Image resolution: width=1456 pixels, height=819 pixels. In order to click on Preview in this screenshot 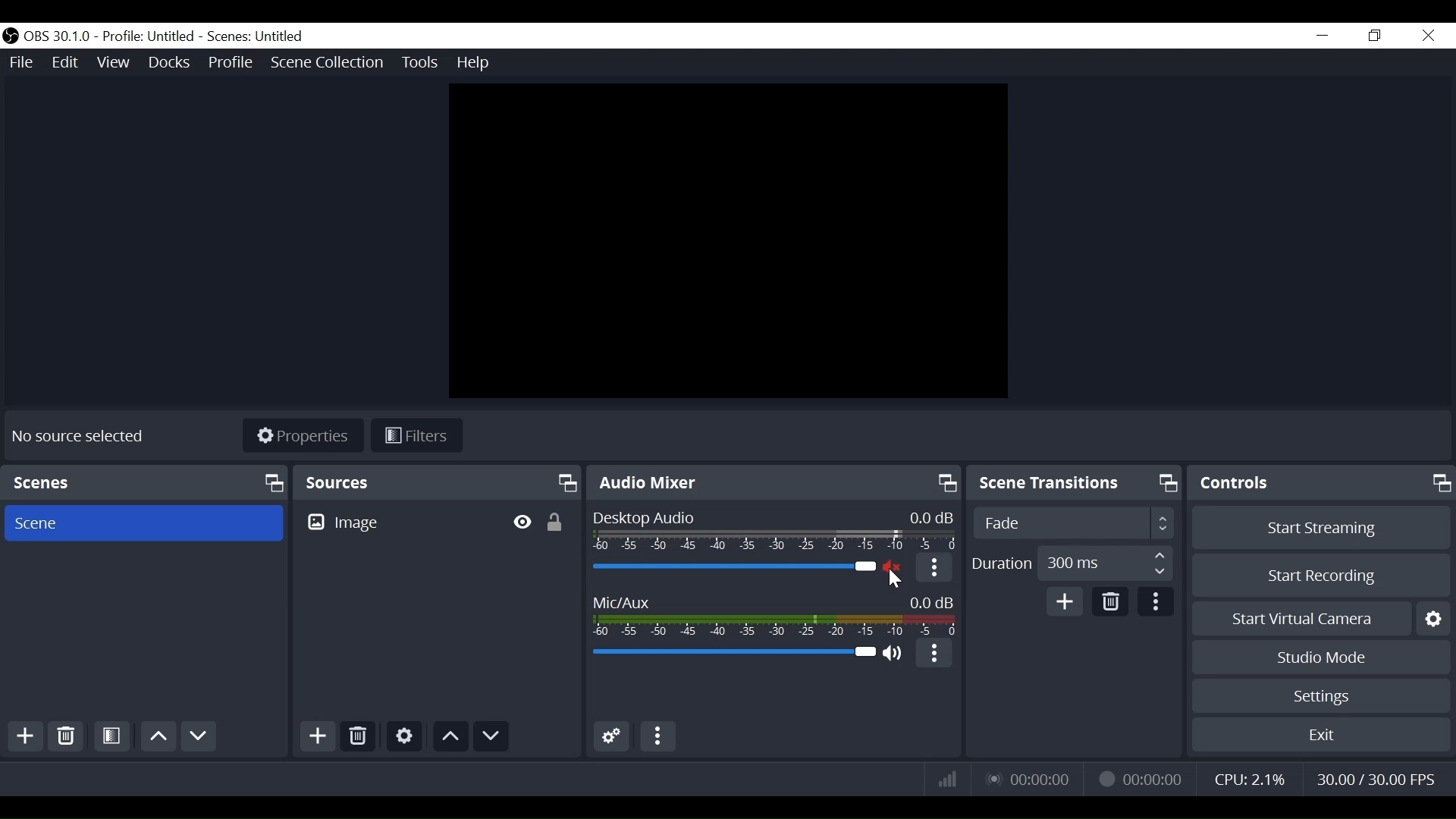, I will do `click(727, 241)`.